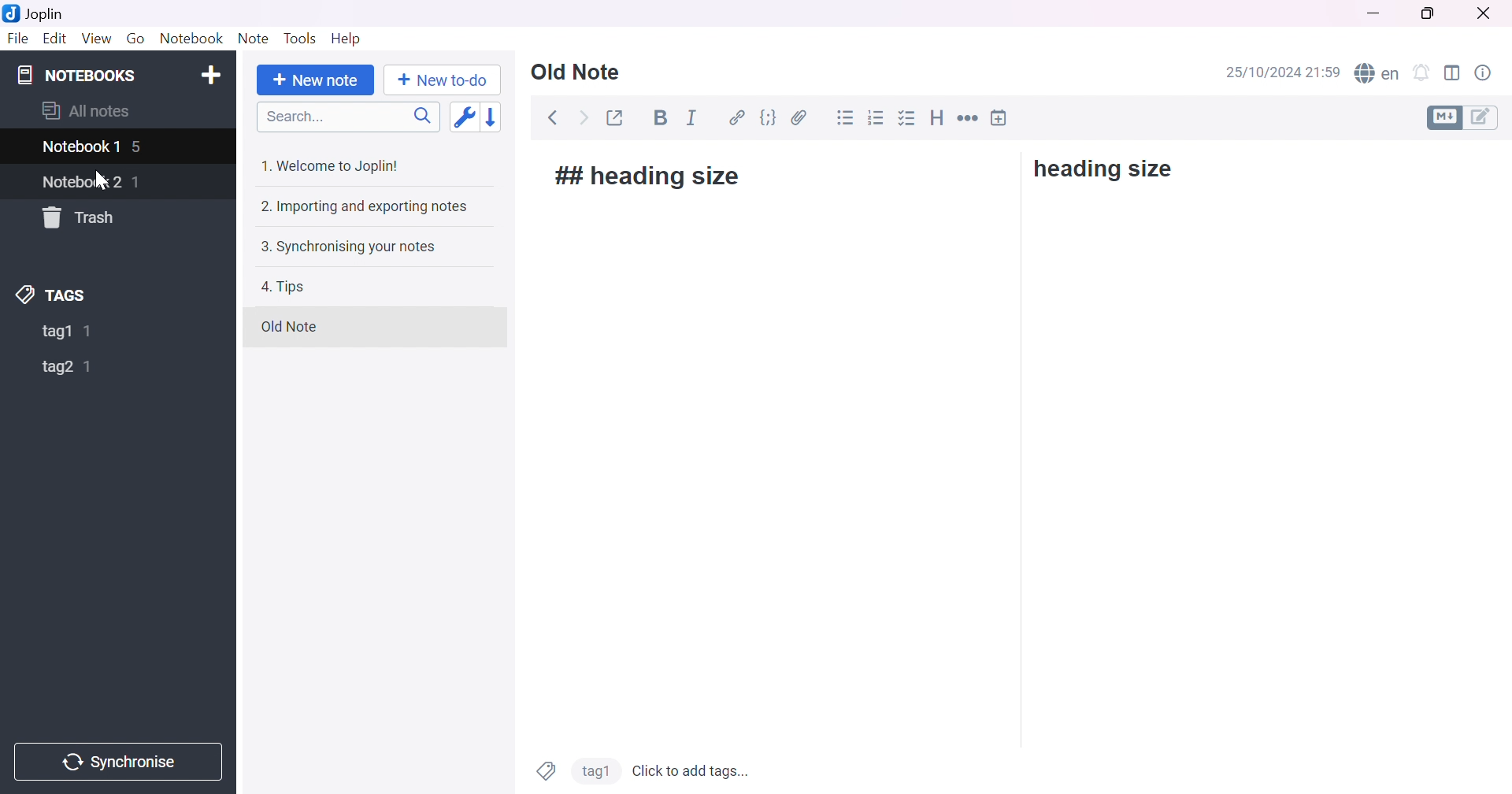  What do you see at coordinates (939, 118) in the screenshot?
I see `Heading` at bounding box center [939, 118].